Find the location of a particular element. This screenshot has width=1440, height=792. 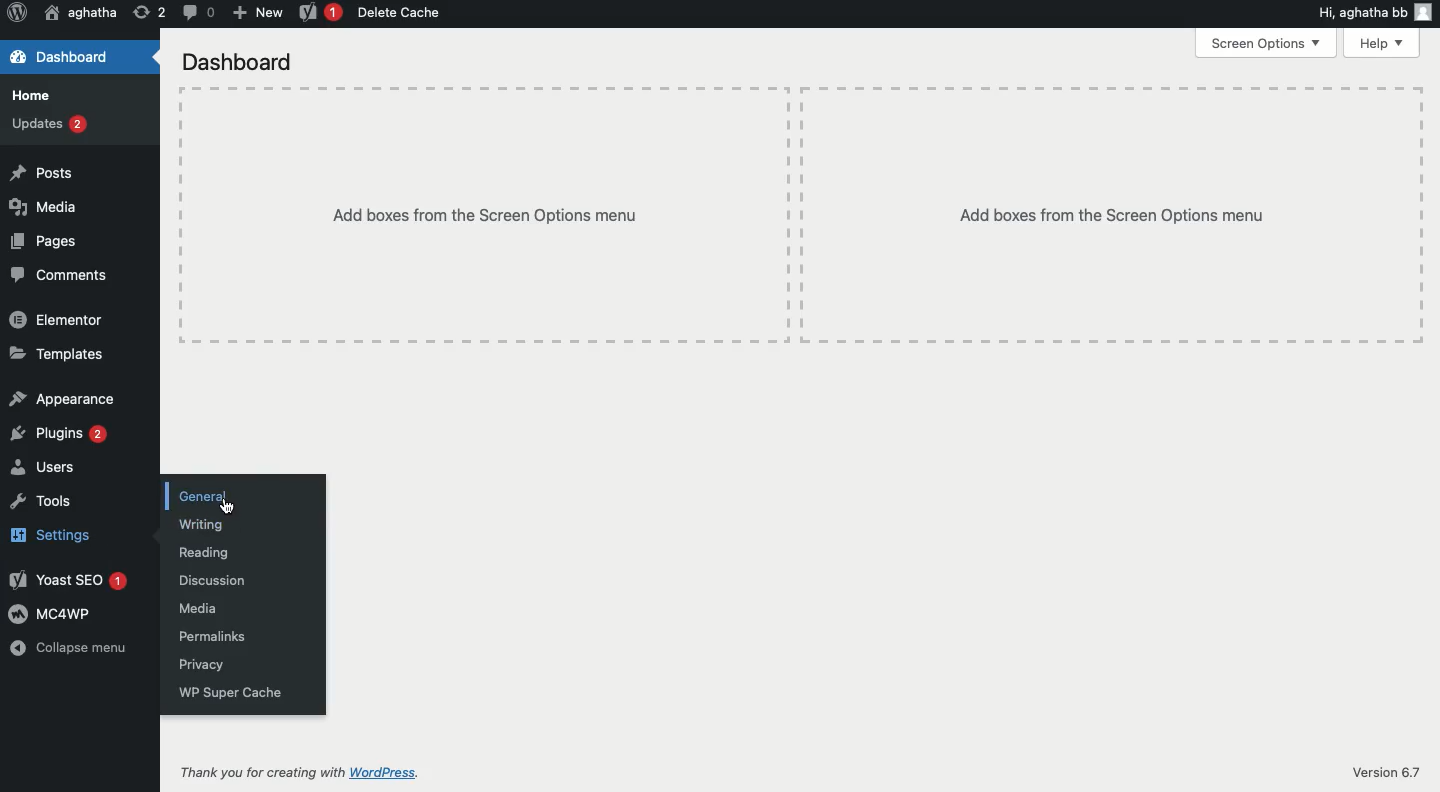

Templates is located at coordinates (58, 355).